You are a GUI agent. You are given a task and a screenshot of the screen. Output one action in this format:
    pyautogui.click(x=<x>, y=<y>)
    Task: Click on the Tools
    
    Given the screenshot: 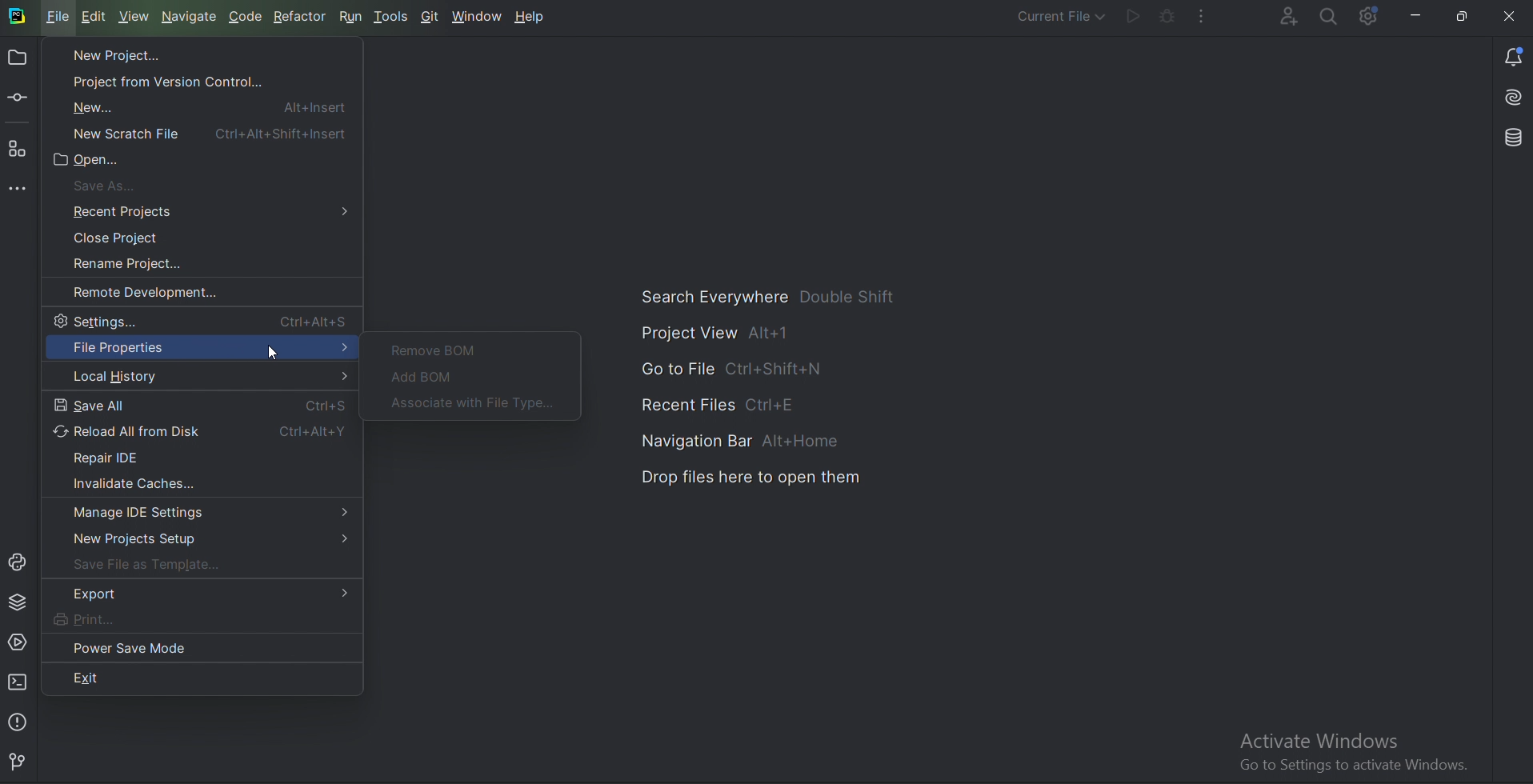 What is the action you would take?
    pyautogui.click(x=394, y=16)
    